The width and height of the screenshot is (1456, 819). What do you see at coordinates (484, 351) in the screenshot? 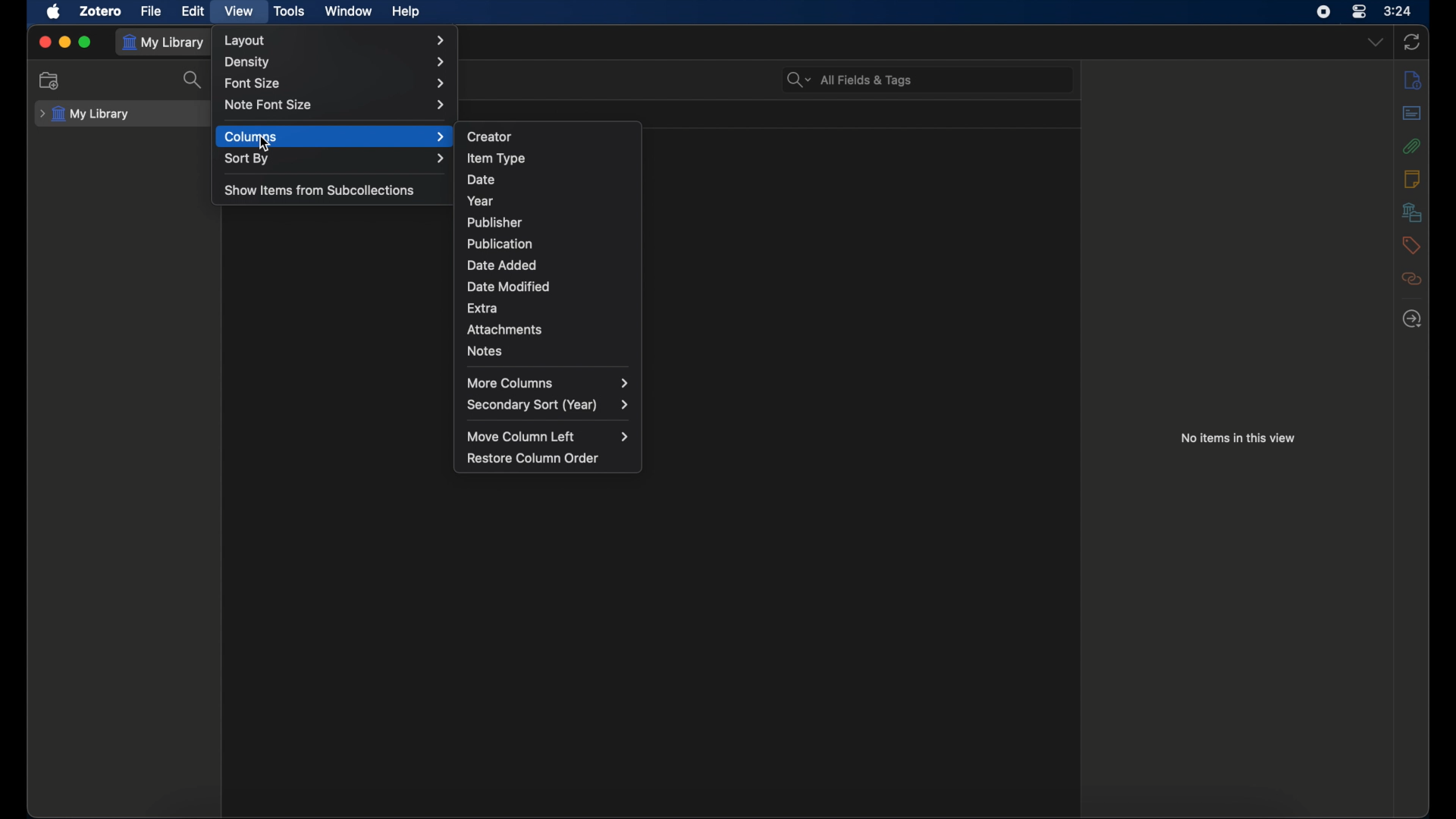
I see `notes` at bounding box center [484, 351].